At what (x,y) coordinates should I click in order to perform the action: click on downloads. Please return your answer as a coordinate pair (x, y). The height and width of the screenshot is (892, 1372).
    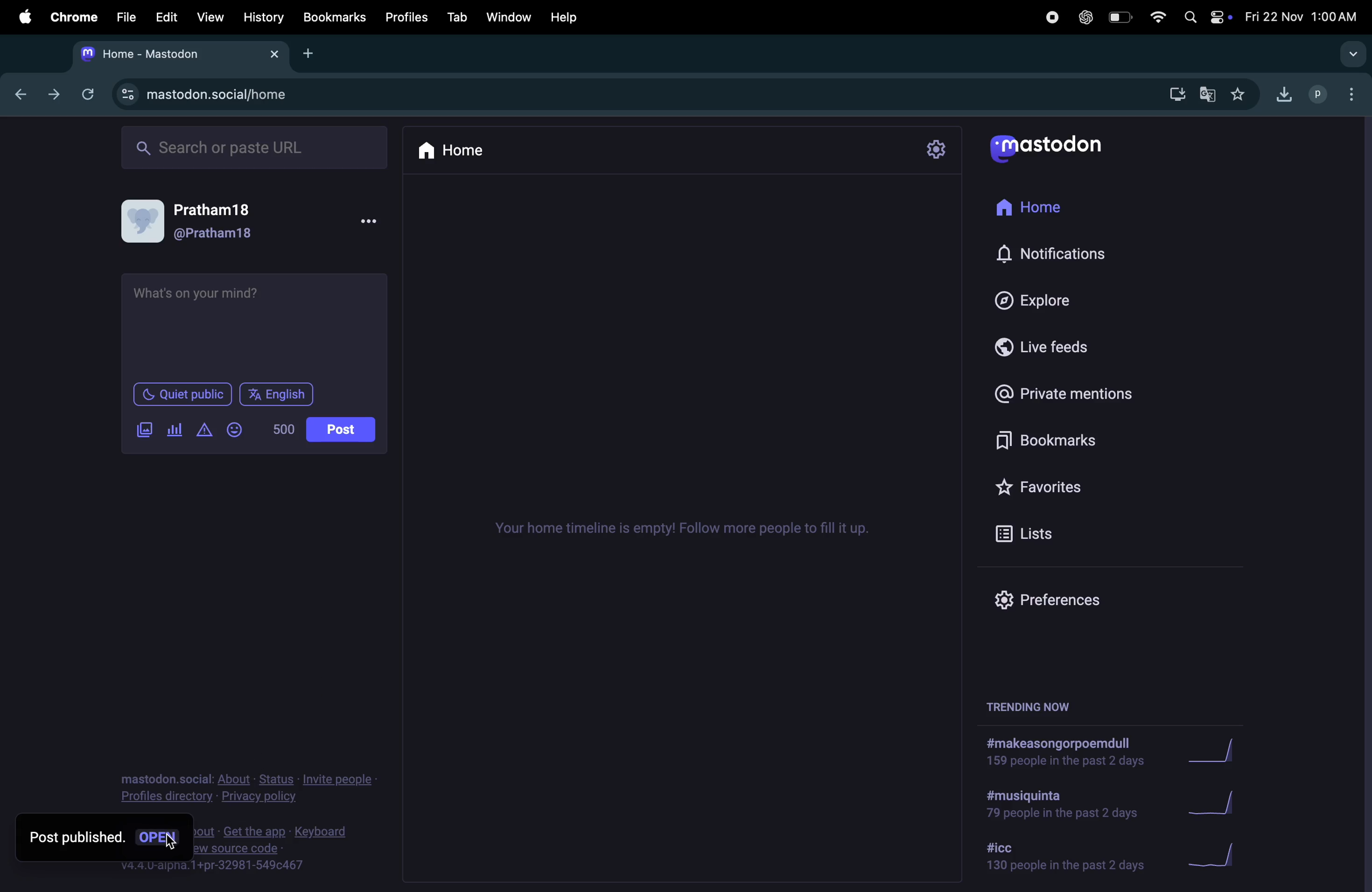
    Looking at the image, I should click on (1175, 96).